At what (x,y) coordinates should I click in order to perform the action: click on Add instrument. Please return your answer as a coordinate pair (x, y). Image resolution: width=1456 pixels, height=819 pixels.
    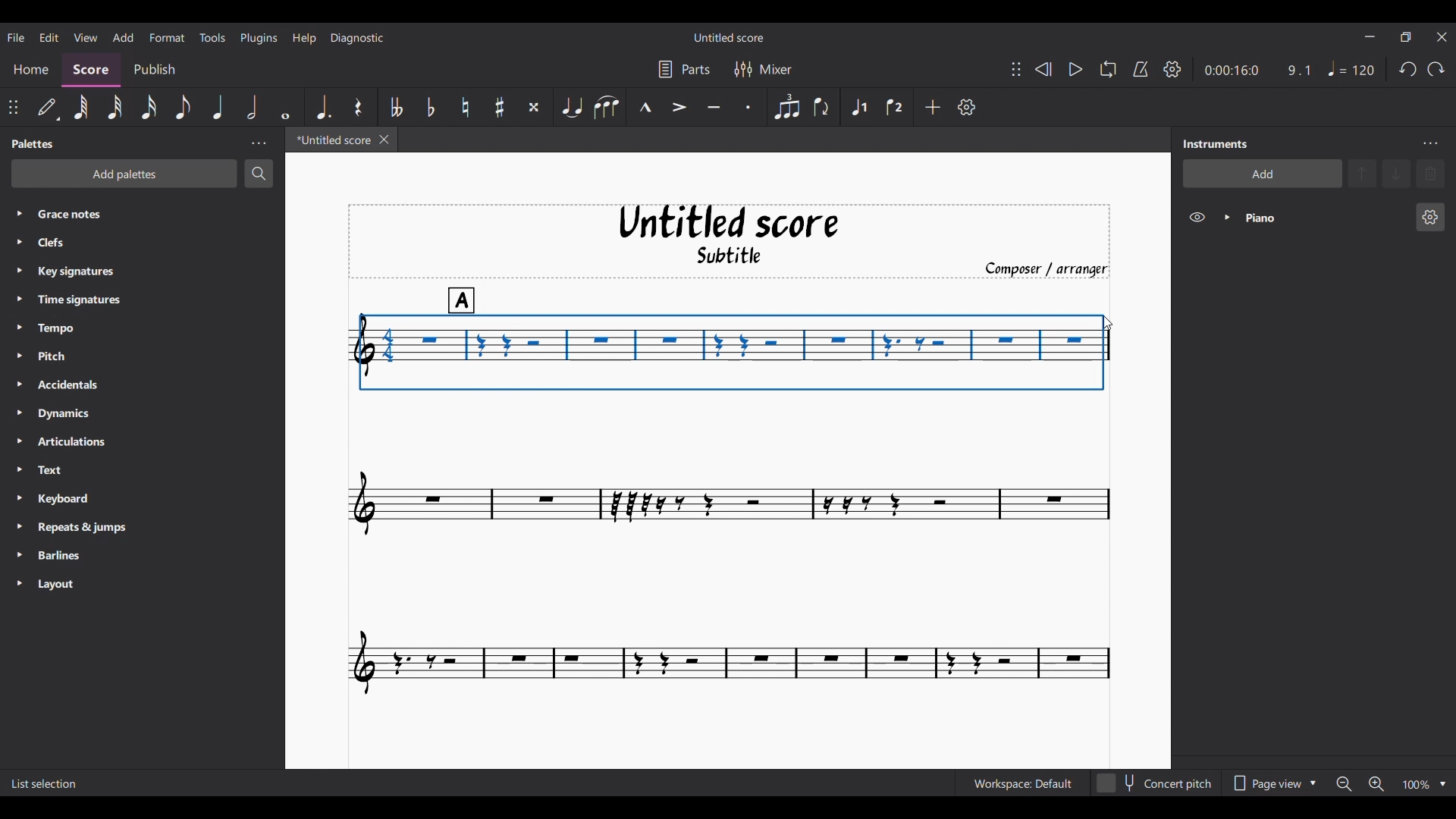
    Looking at the image, I should click on (1263, 174).